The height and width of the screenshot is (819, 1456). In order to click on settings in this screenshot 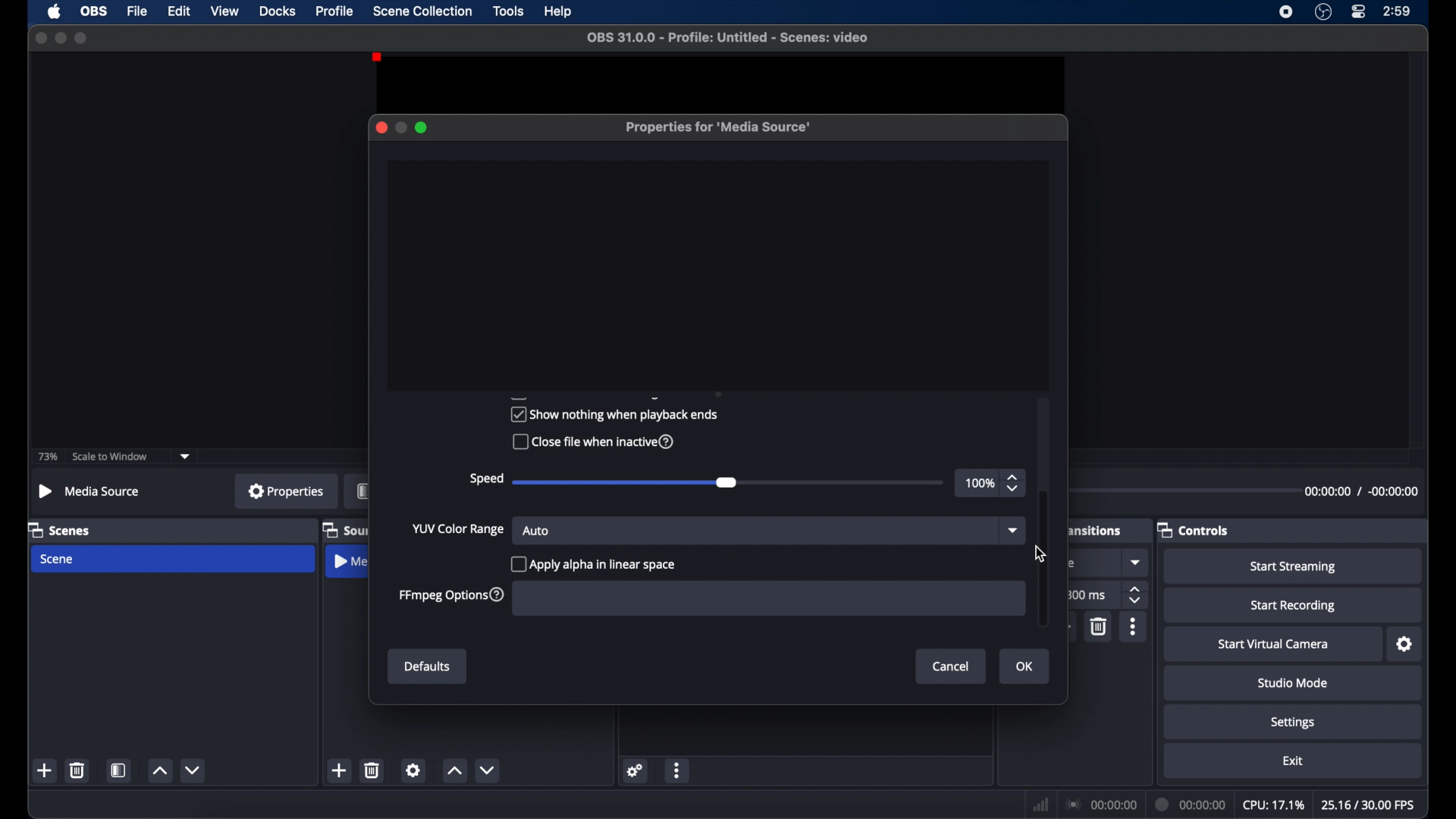, I will do `click(1406, 645)`.